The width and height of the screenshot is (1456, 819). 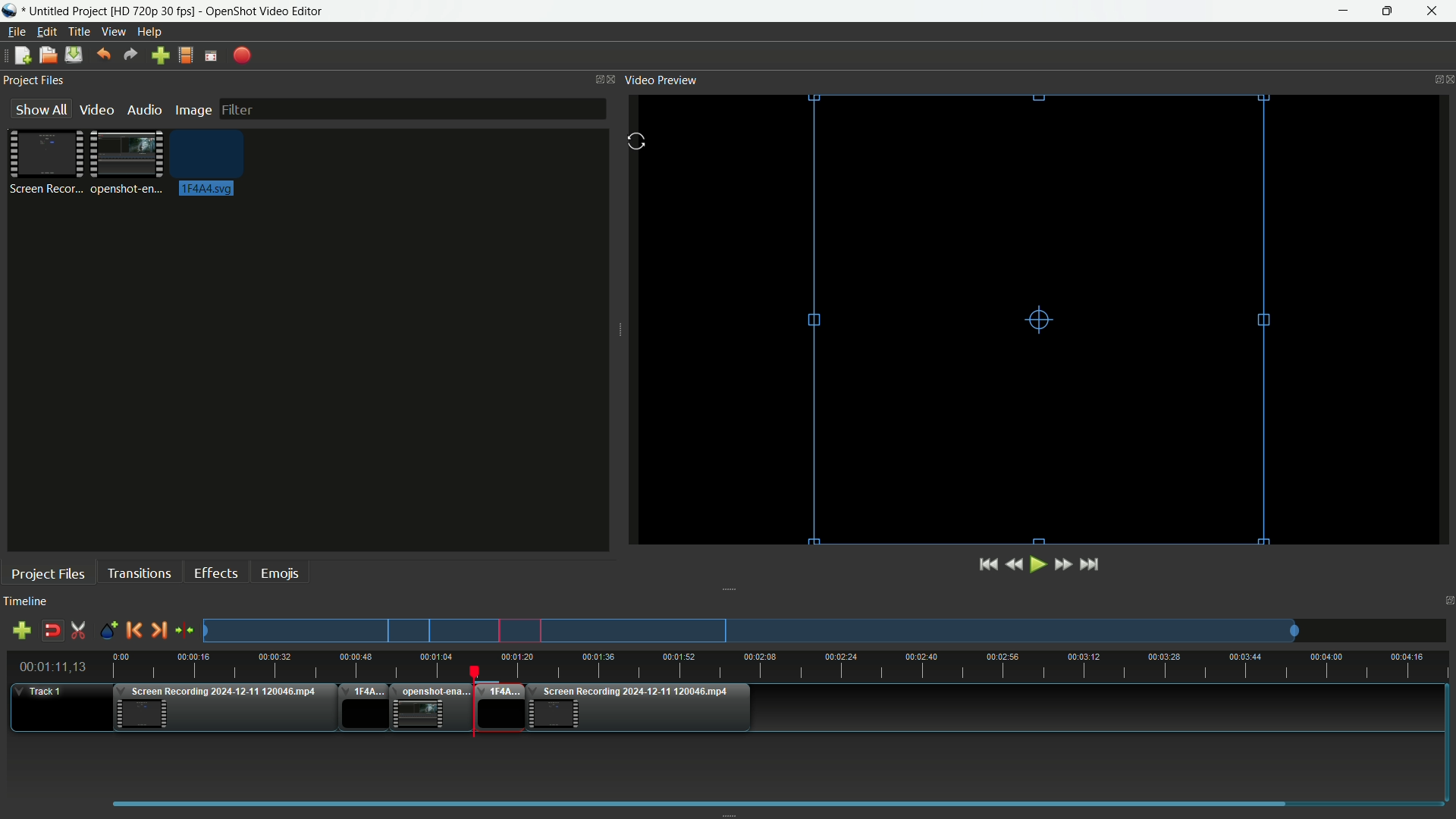 What do you see at coordinates (1062, 564) in the screenshot?
I see `Quick play forward` at bounding box center [1062, 564].